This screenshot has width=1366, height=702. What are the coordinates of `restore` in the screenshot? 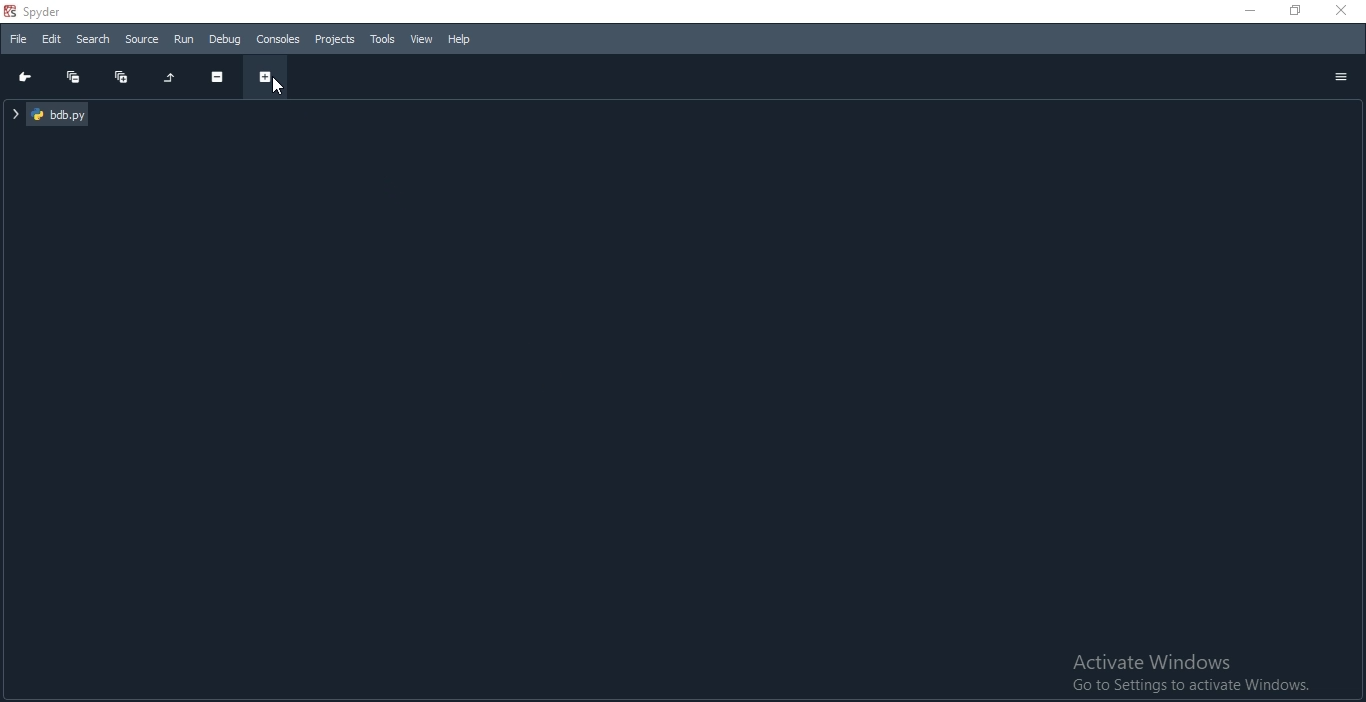 It's located at (1291, 14).